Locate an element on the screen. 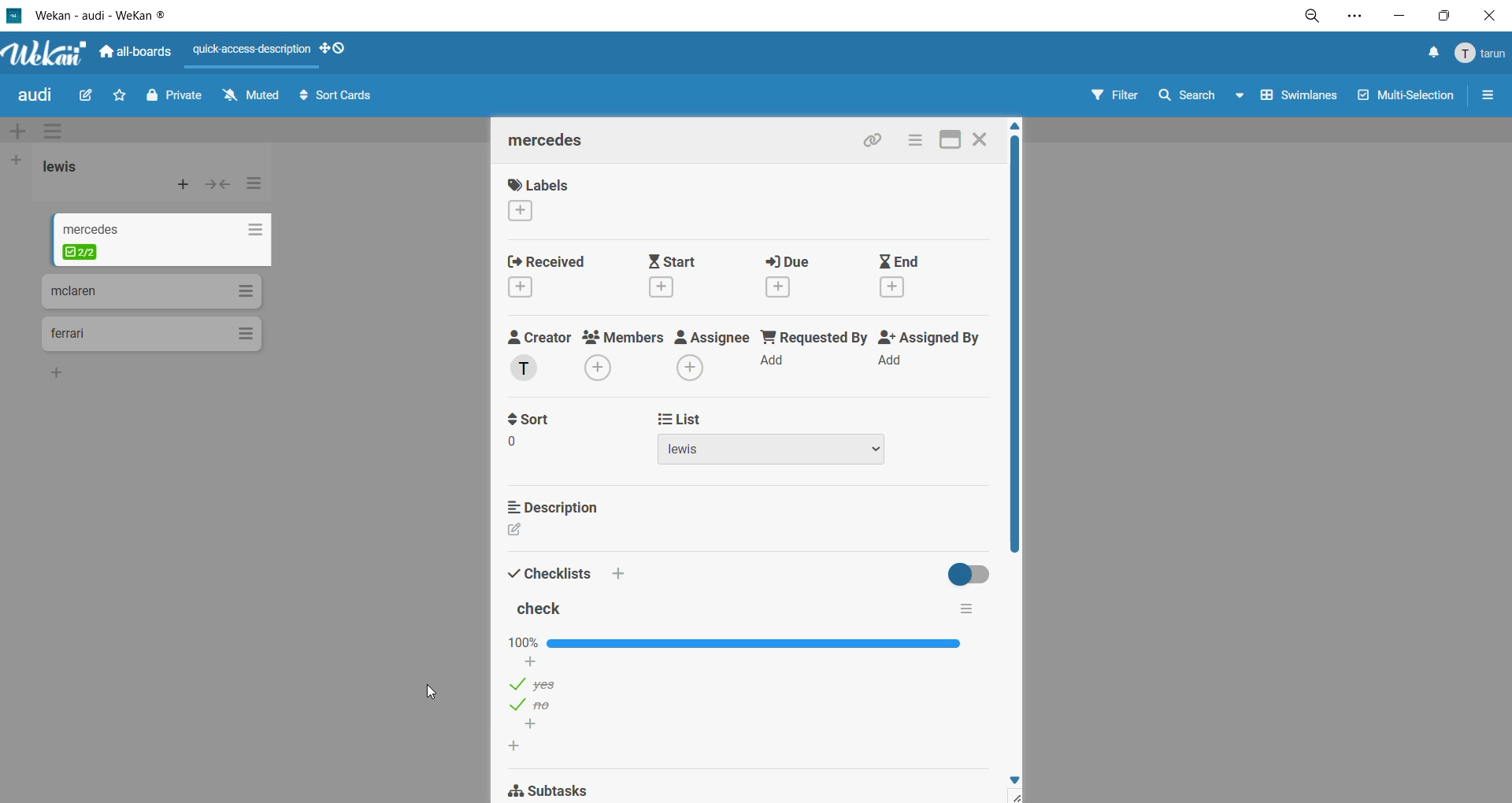  quick access description is located at coordinates (251, 50).